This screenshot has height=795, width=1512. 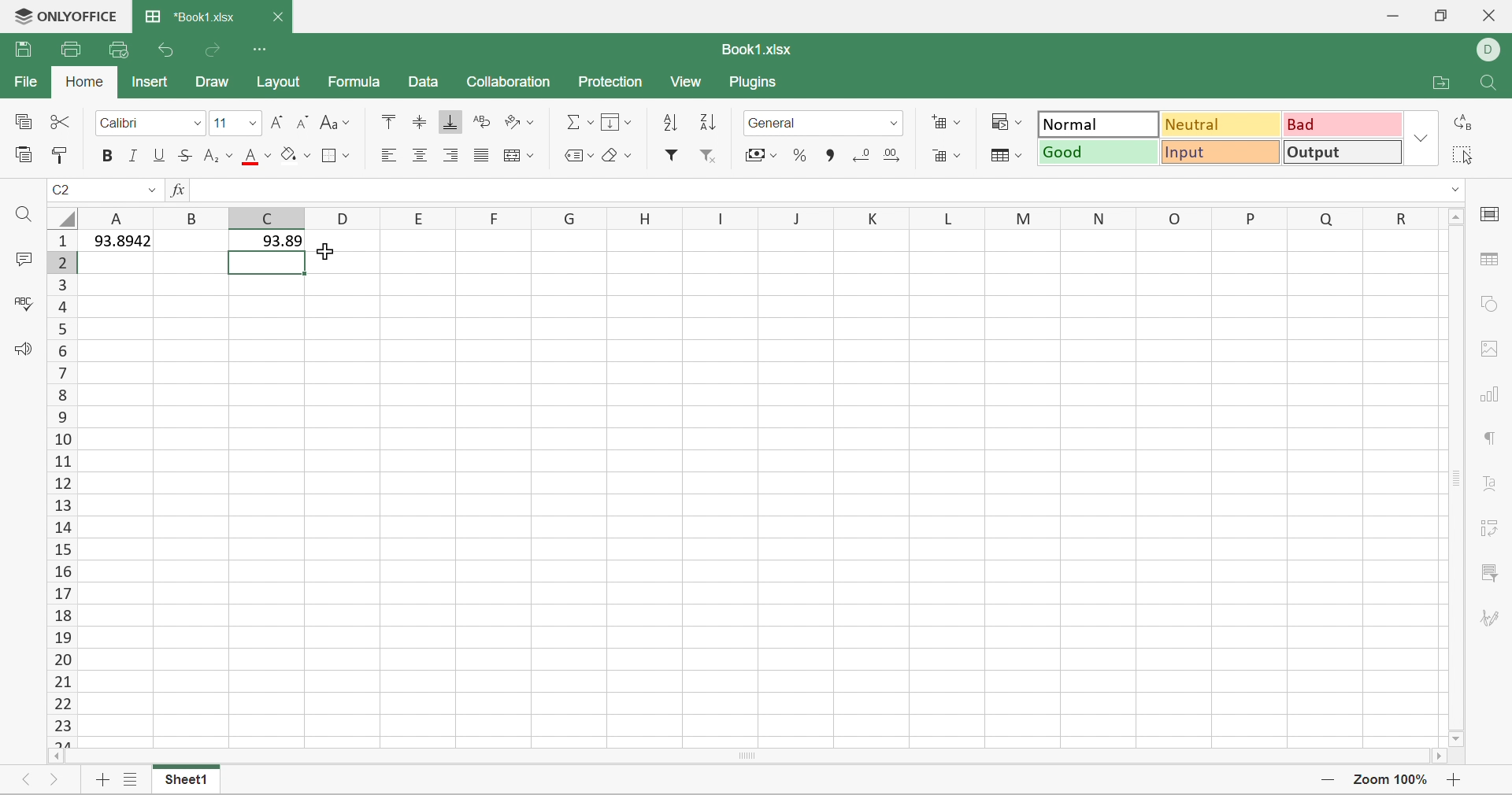 What do you see at coordinates (688, 83) in the screenshot?
I see `View` at bounding box center [688, 83].